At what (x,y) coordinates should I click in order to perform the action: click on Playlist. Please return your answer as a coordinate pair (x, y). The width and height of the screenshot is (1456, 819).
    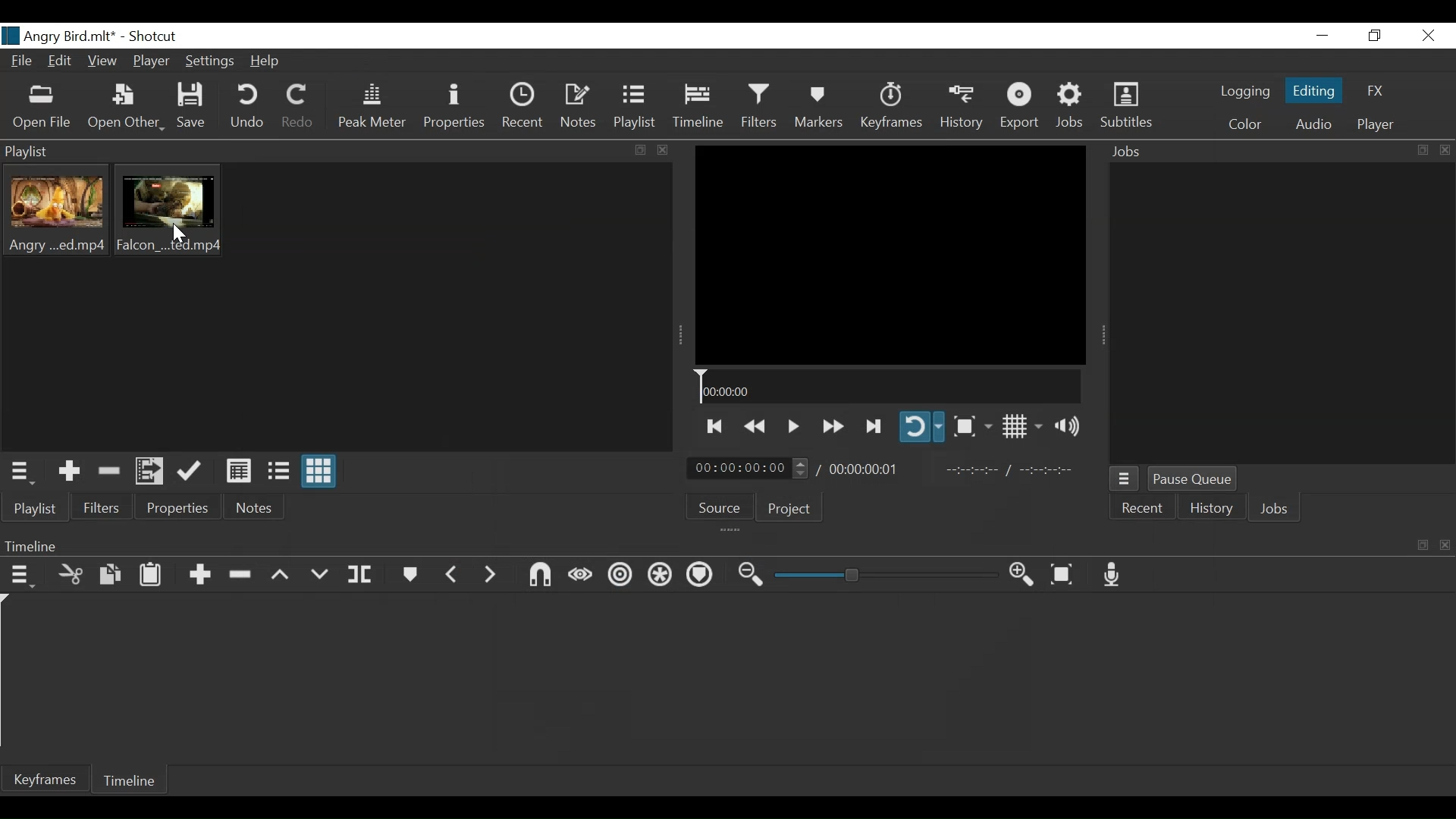
    Looking at the image, I should click on (635, 106).